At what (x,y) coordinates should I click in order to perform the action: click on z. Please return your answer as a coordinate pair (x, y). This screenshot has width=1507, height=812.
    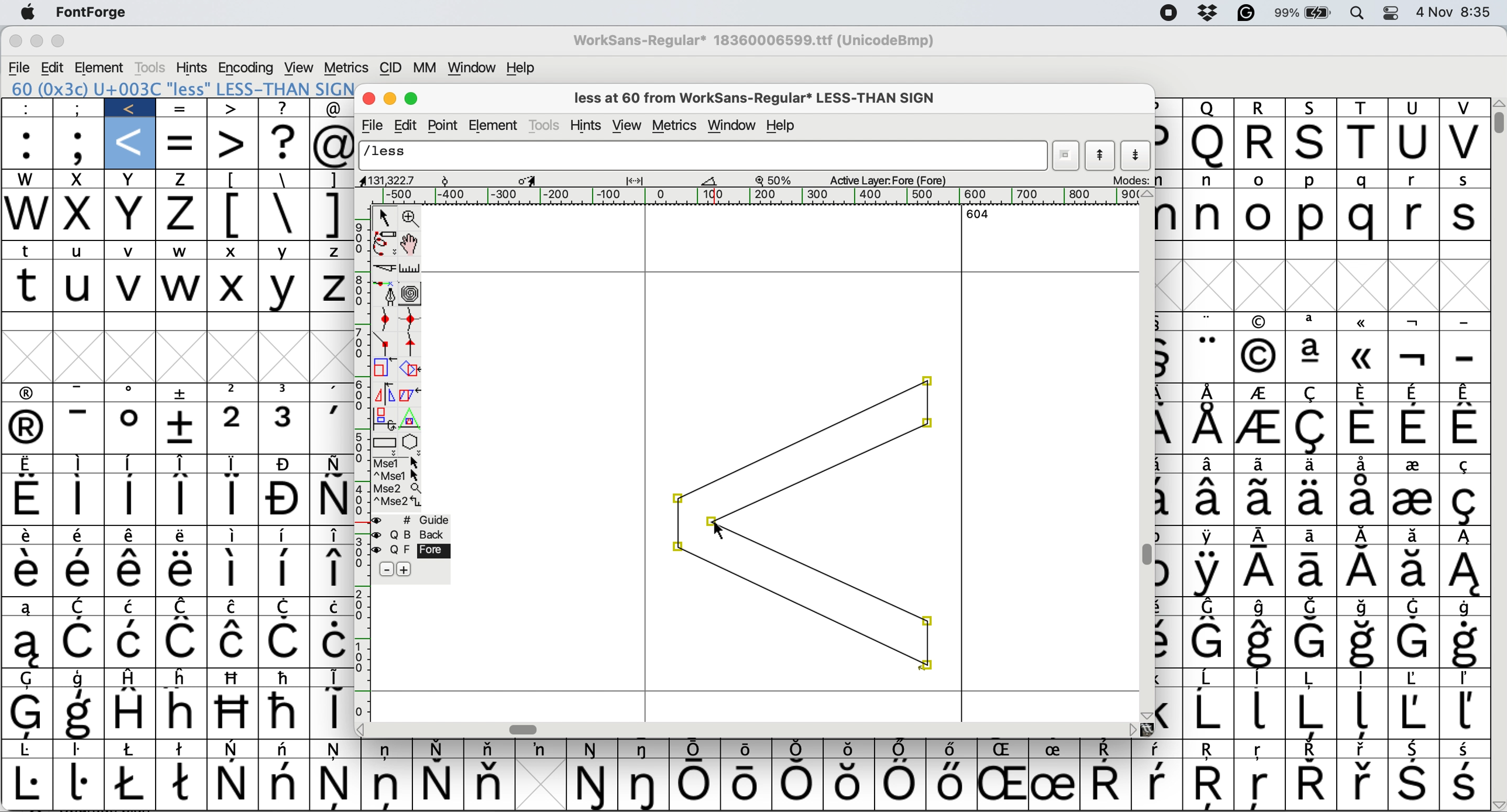
    Looking at the image, I should click on (182, 216).